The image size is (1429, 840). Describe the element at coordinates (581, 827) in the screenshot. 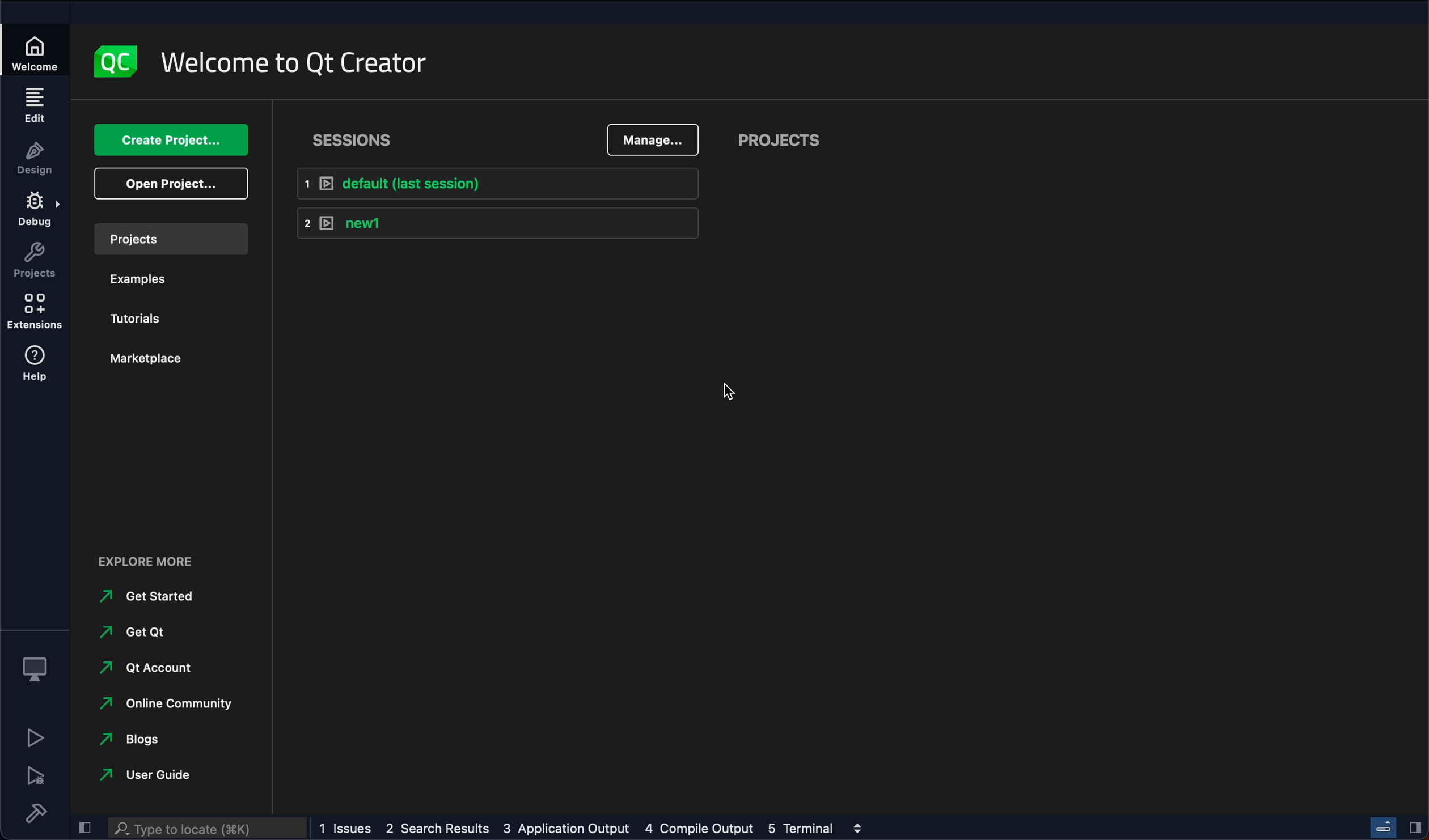

I see `log` at that location.